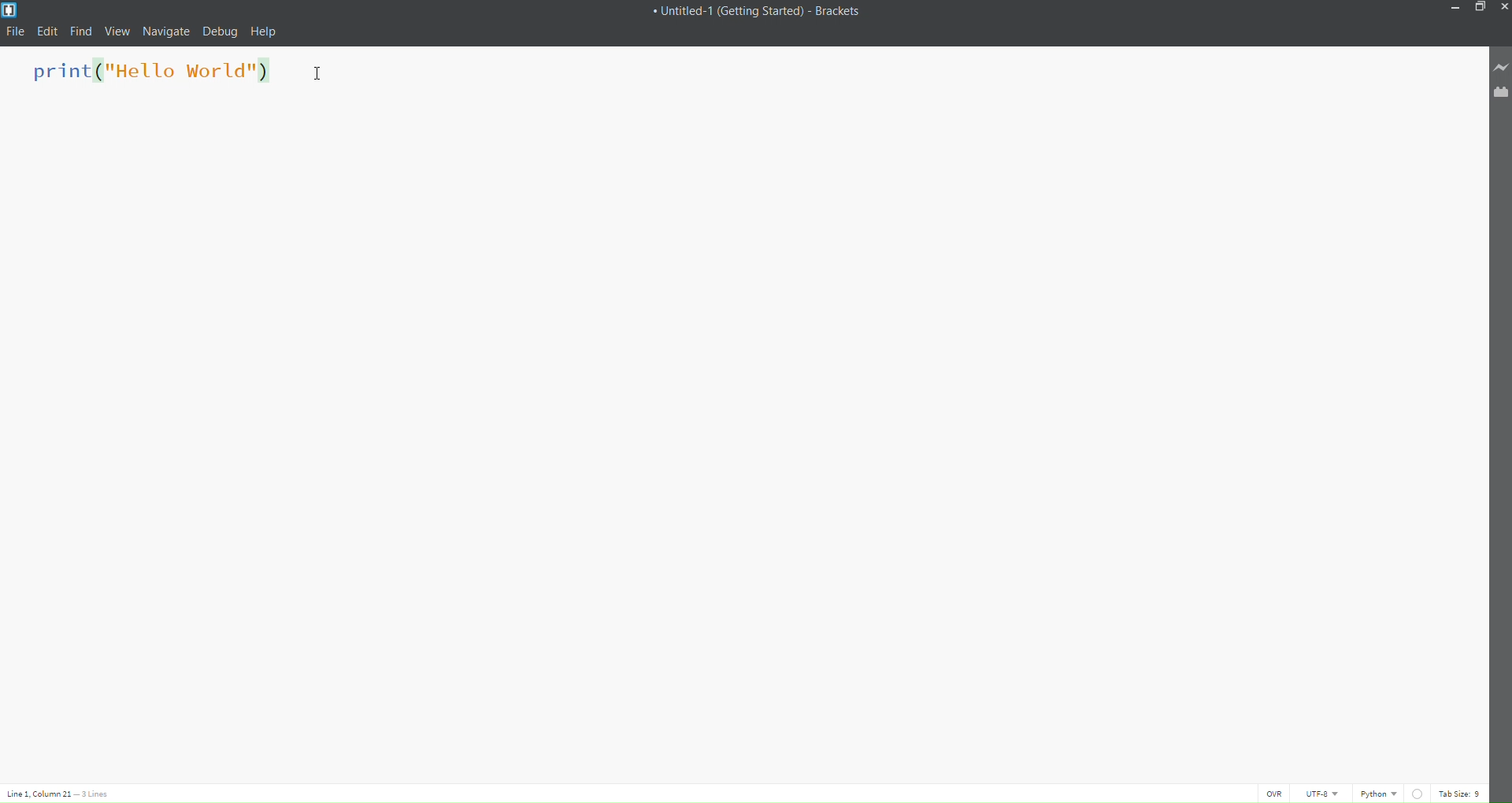  What do you see at coordinates (333, 72) in the screenshot?
I see `cursor` at bounding box center [333, 72].